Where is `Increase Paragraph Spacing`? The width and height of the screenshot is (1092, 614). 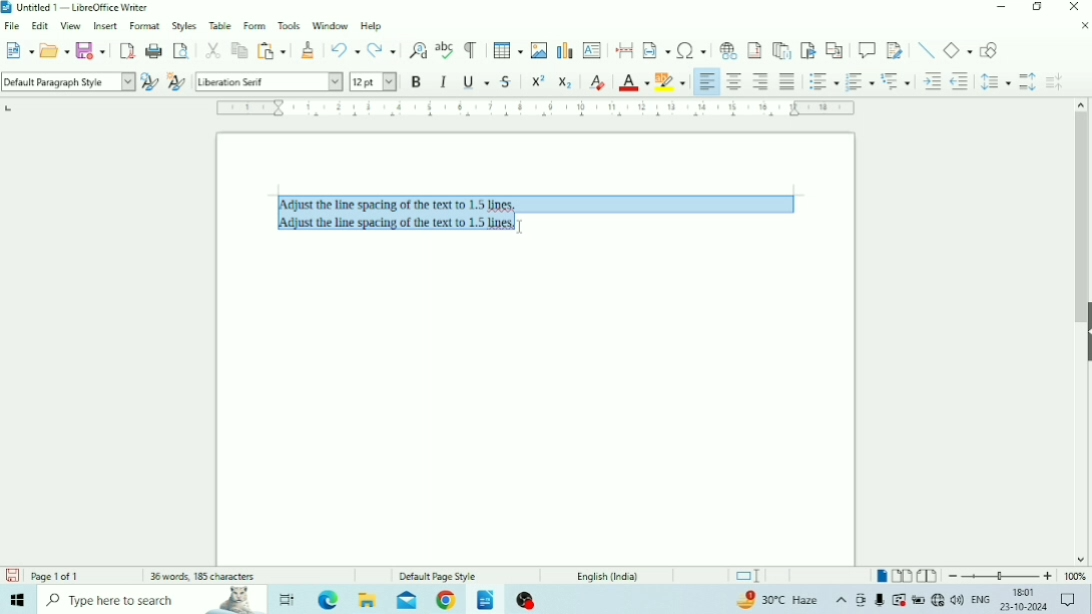 Increase Paragraph Spacing is located at coordinates (1027, 82).